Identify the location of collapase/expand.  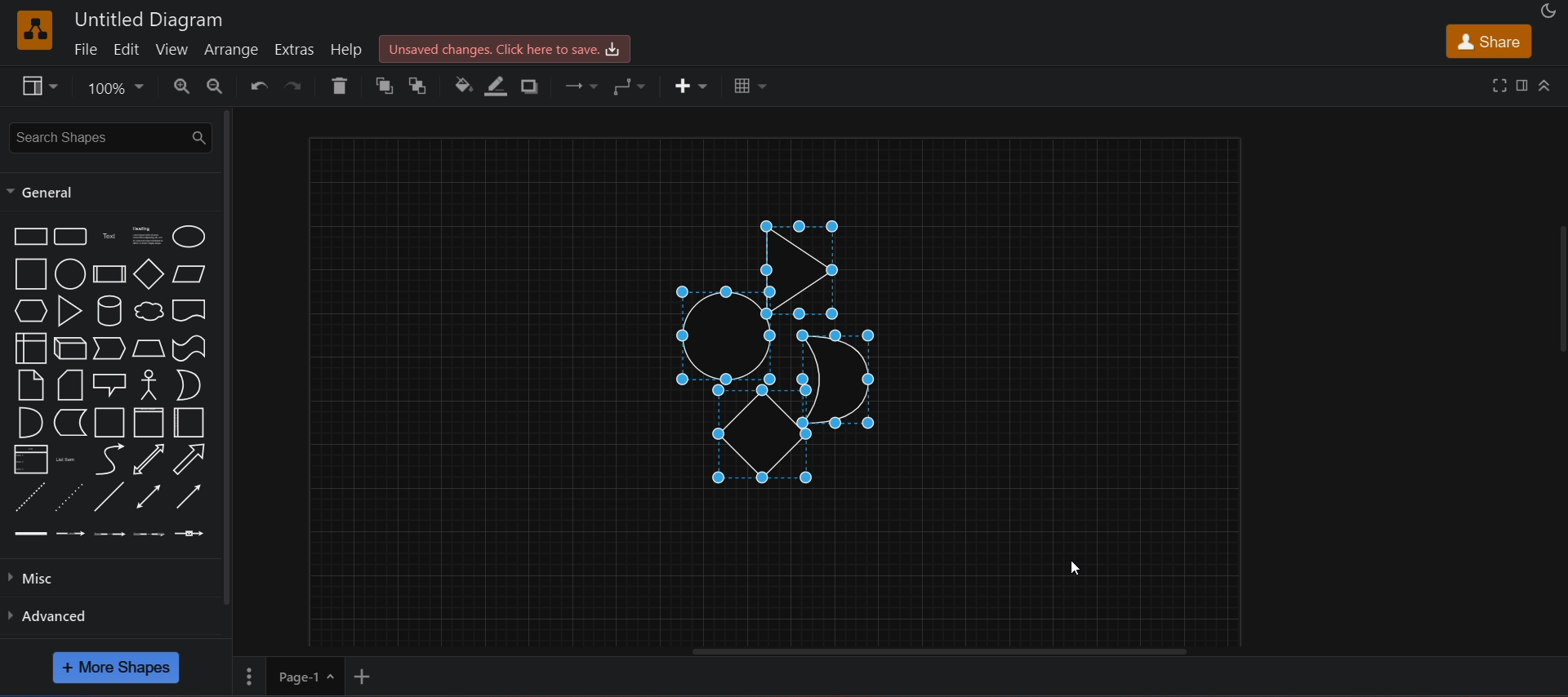
(1546, 84).